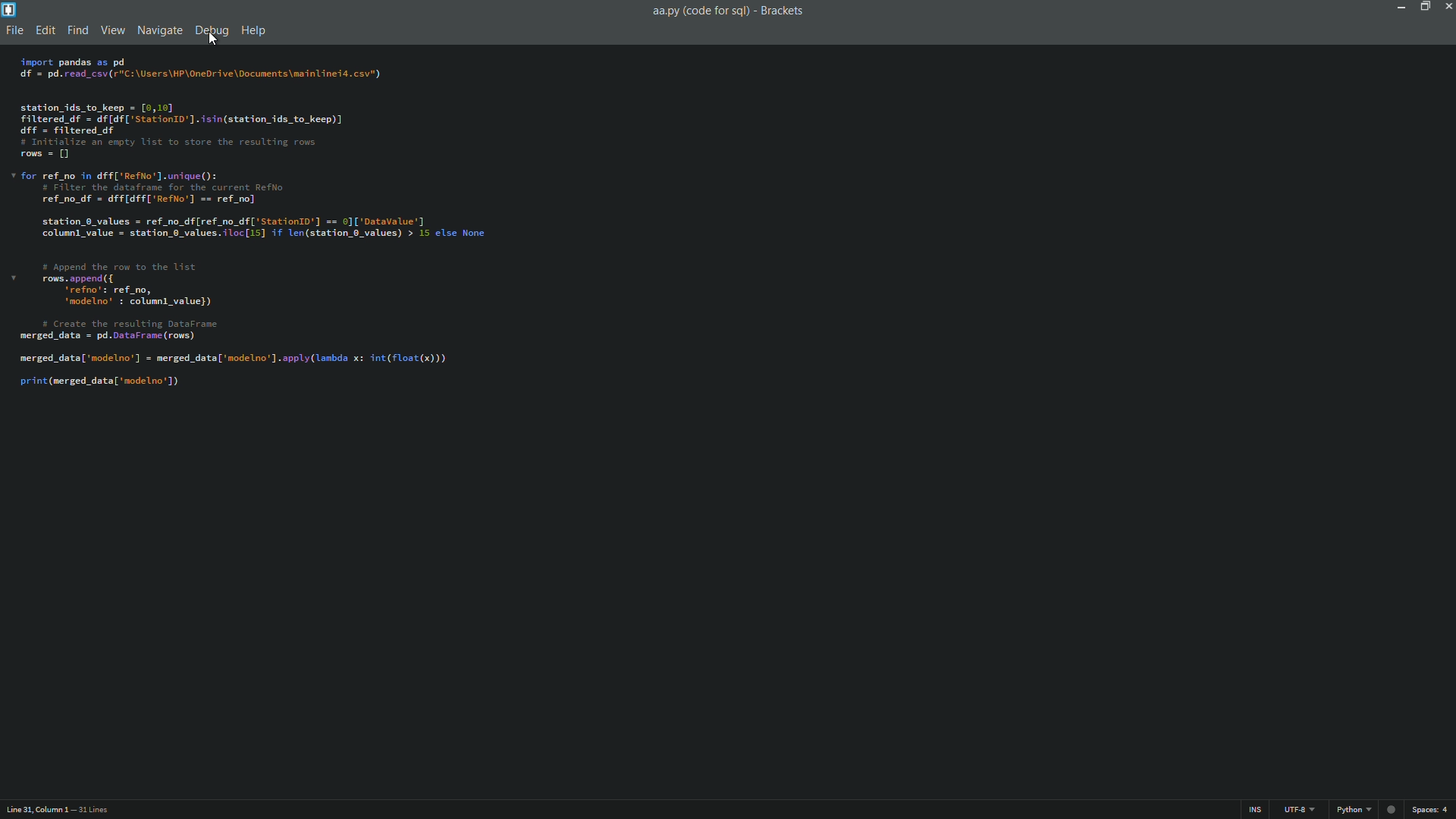 The height and width of the screenshot is (819, 1456). What do you see at coordinates (254, 31) in the screenshot?
I see `Help menu` at bounding box center [254, 31].